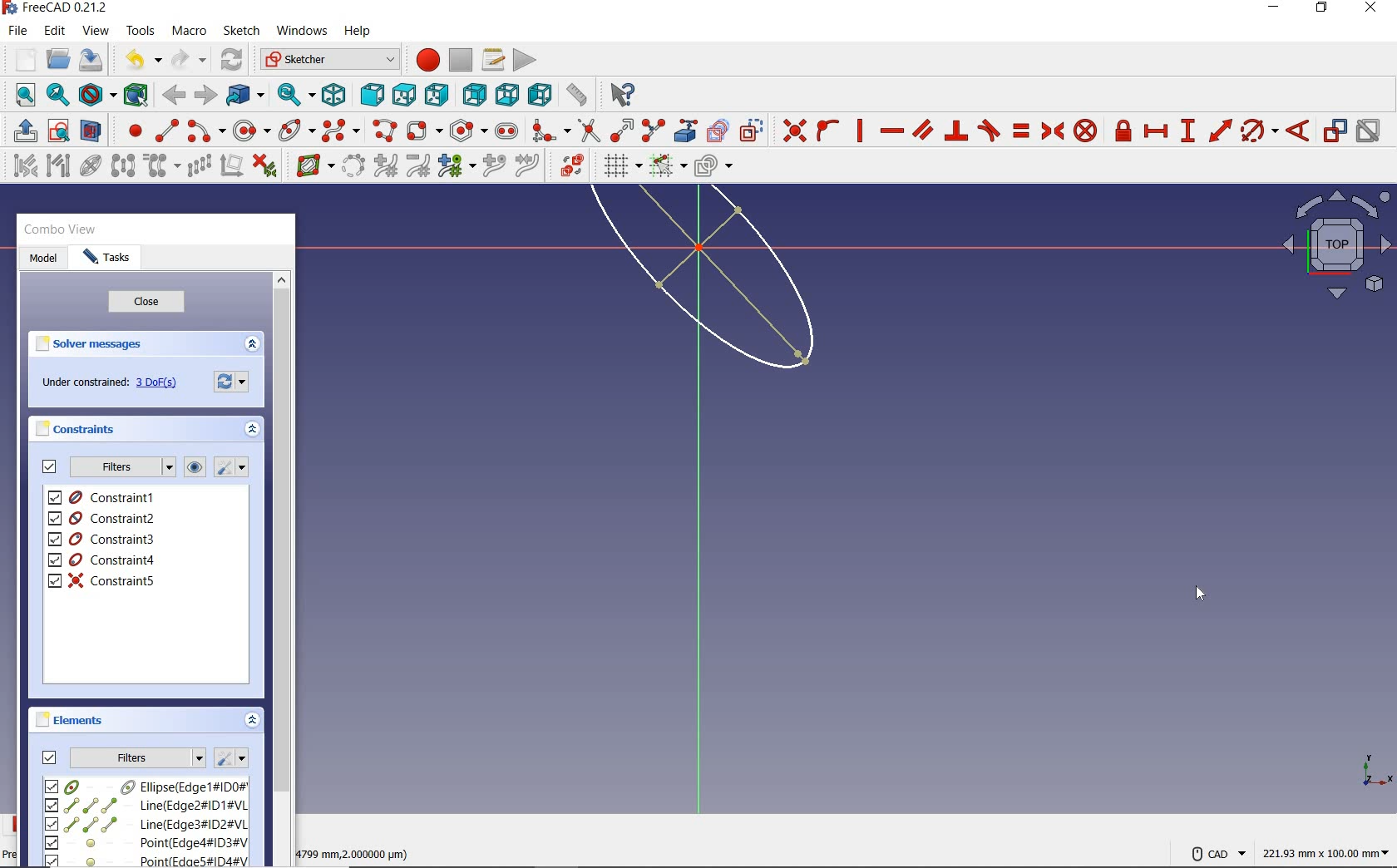 This screenshot has height=868, width=1397. I want to click on show/hide internal geometry, so click(93, 165).